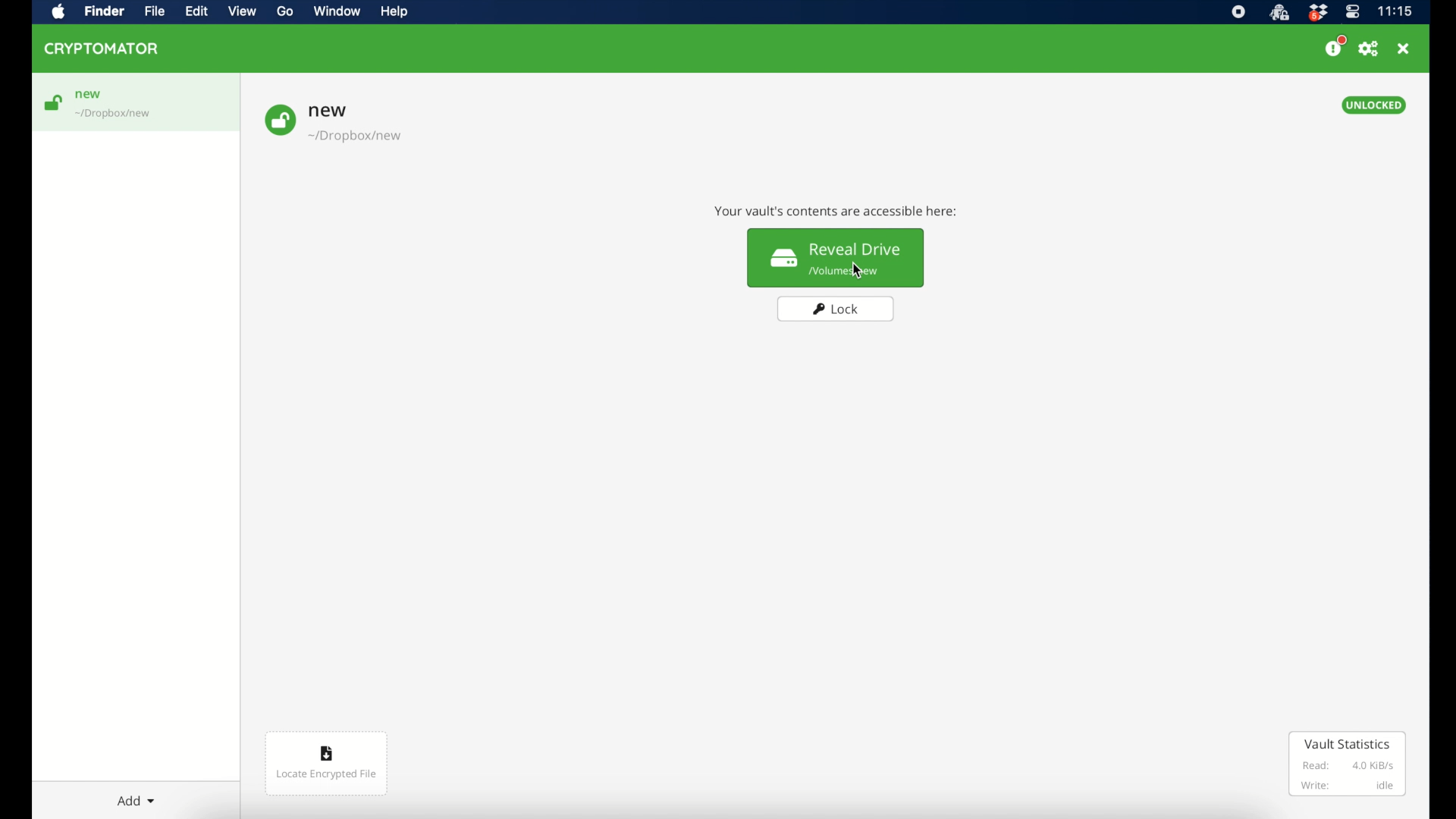 This screenshot has height=819, width=1456. What do you see at coordinates (1374, 105) in the screenshot?
I see `unlocked` at bounding box center [1374, 105].